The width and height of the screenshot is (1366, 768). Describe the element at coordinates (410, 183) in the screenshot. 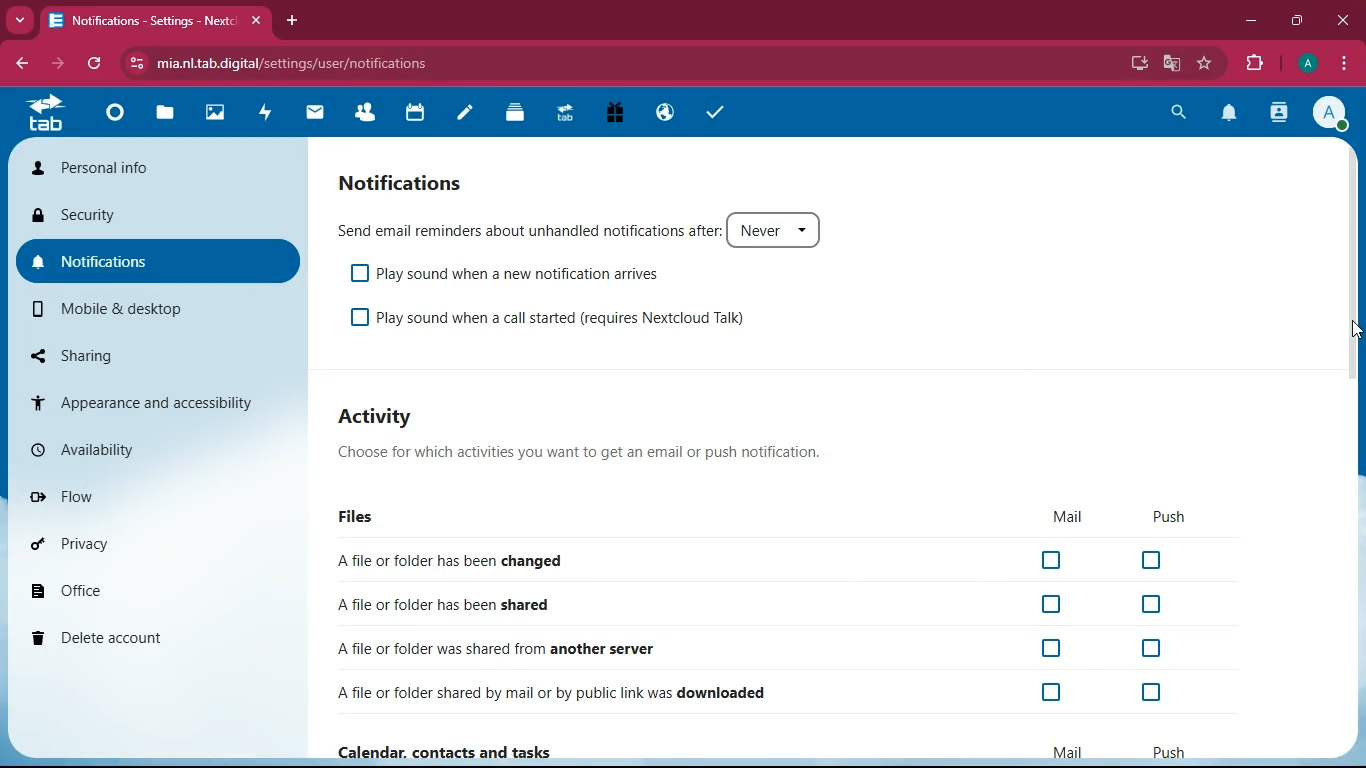

I see `notifications` at that location.